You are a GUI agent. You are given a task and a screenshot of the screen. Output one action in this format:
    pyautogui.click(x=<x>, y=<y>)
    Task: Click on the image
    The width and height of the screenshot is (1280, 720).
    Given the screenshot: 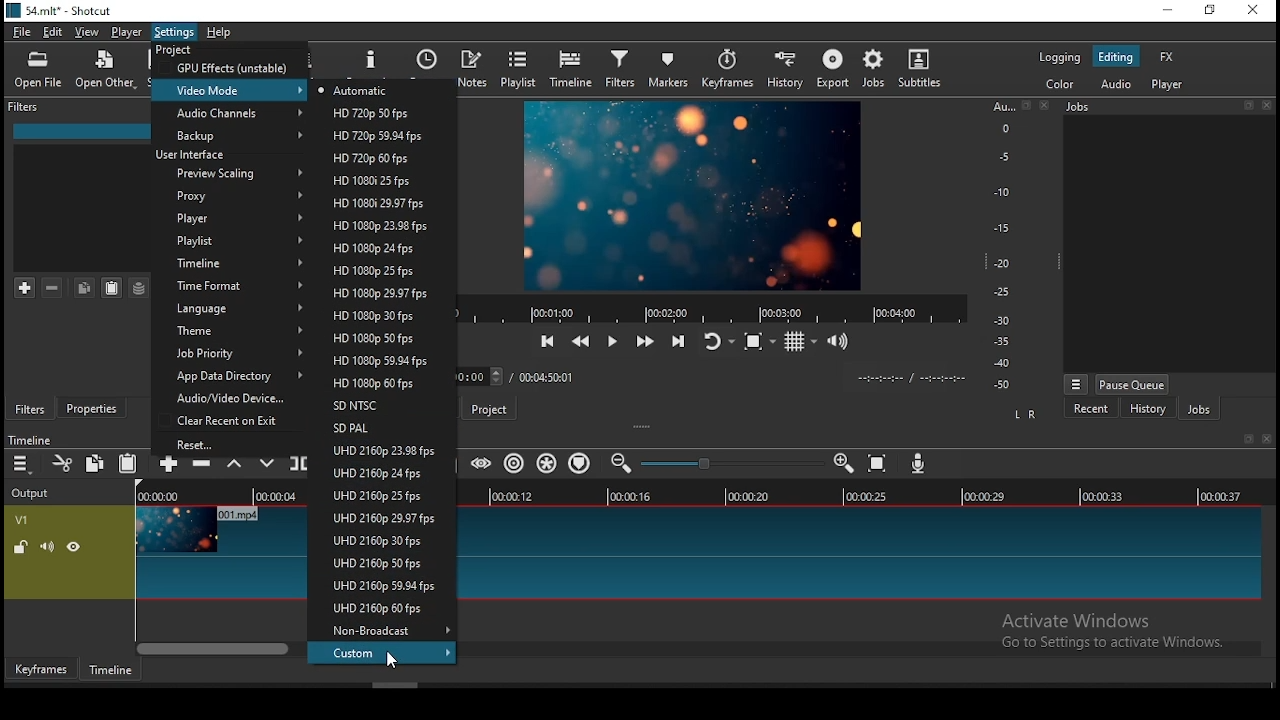 What is the action you would take?
    pyautogui.click(x=689, y=195)
    